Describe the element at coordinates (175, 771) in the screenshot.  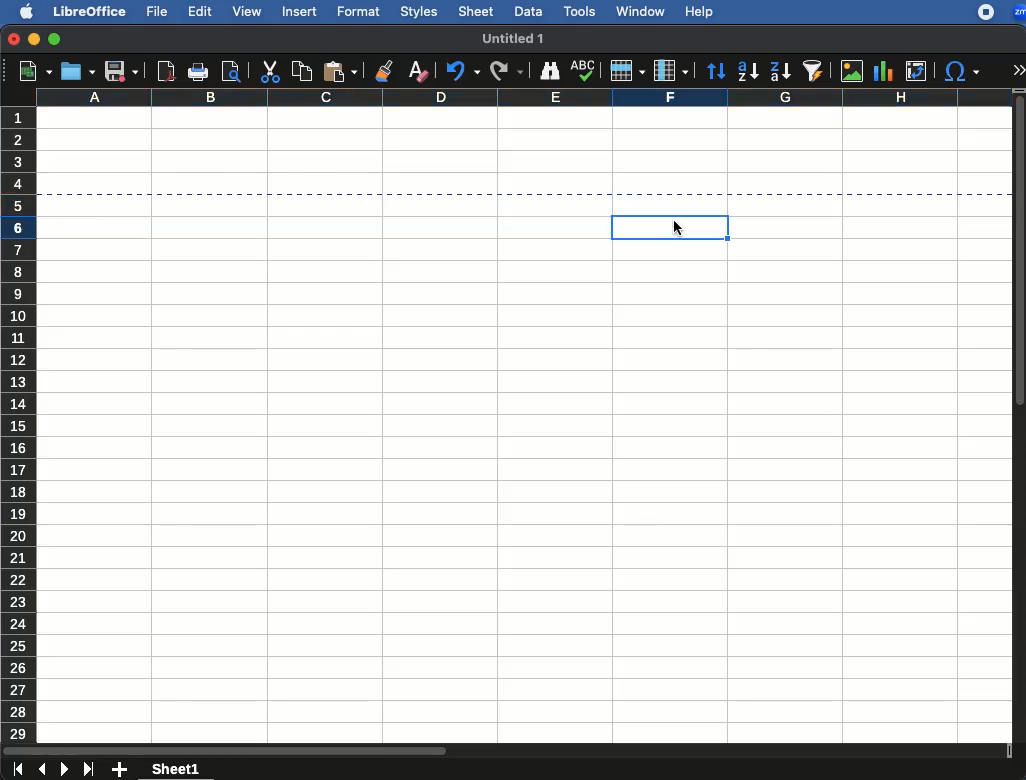
I see `sheet1` at that location.